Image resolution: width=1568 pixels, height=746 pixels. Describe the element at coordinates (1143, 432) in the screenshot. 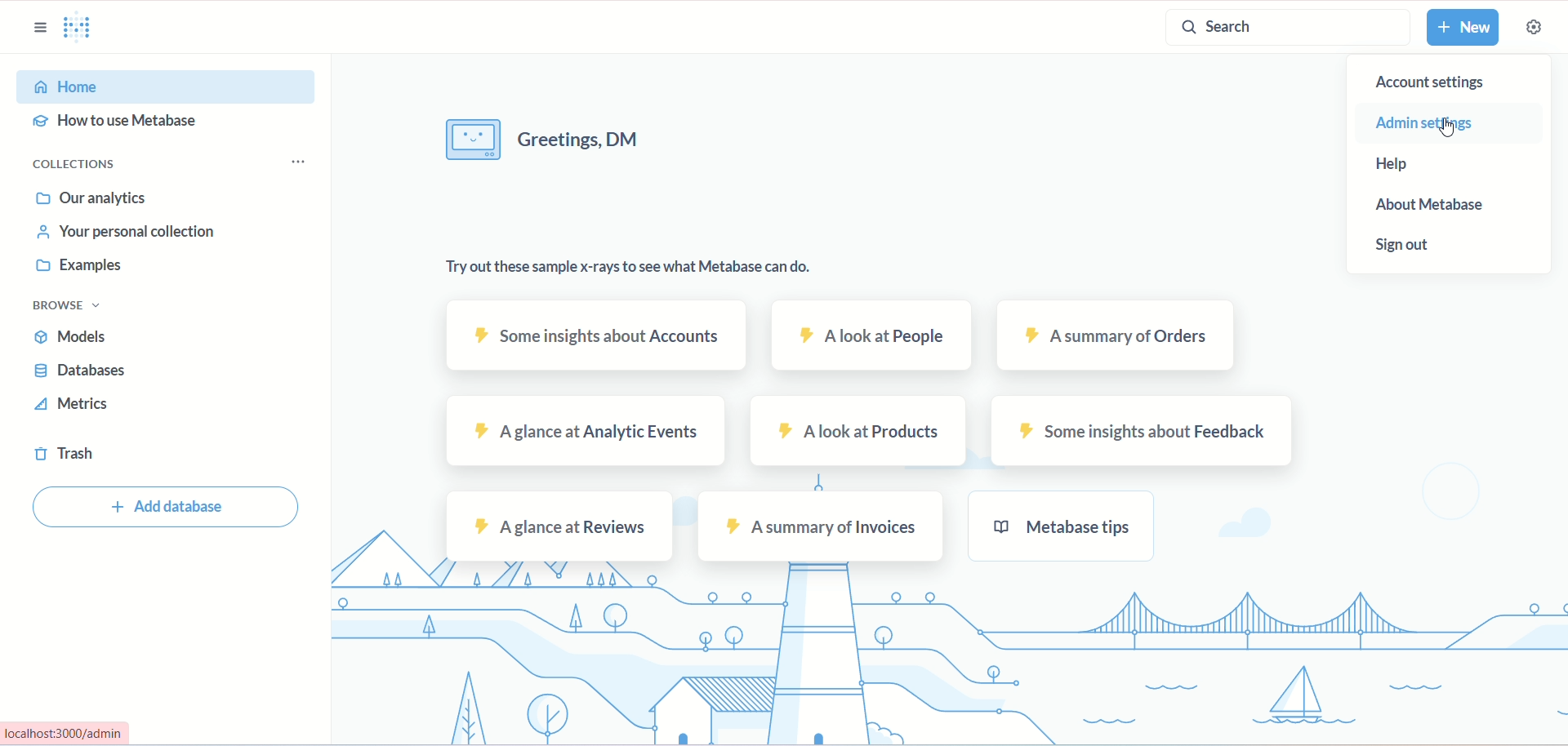

I see `feedback` at that location.